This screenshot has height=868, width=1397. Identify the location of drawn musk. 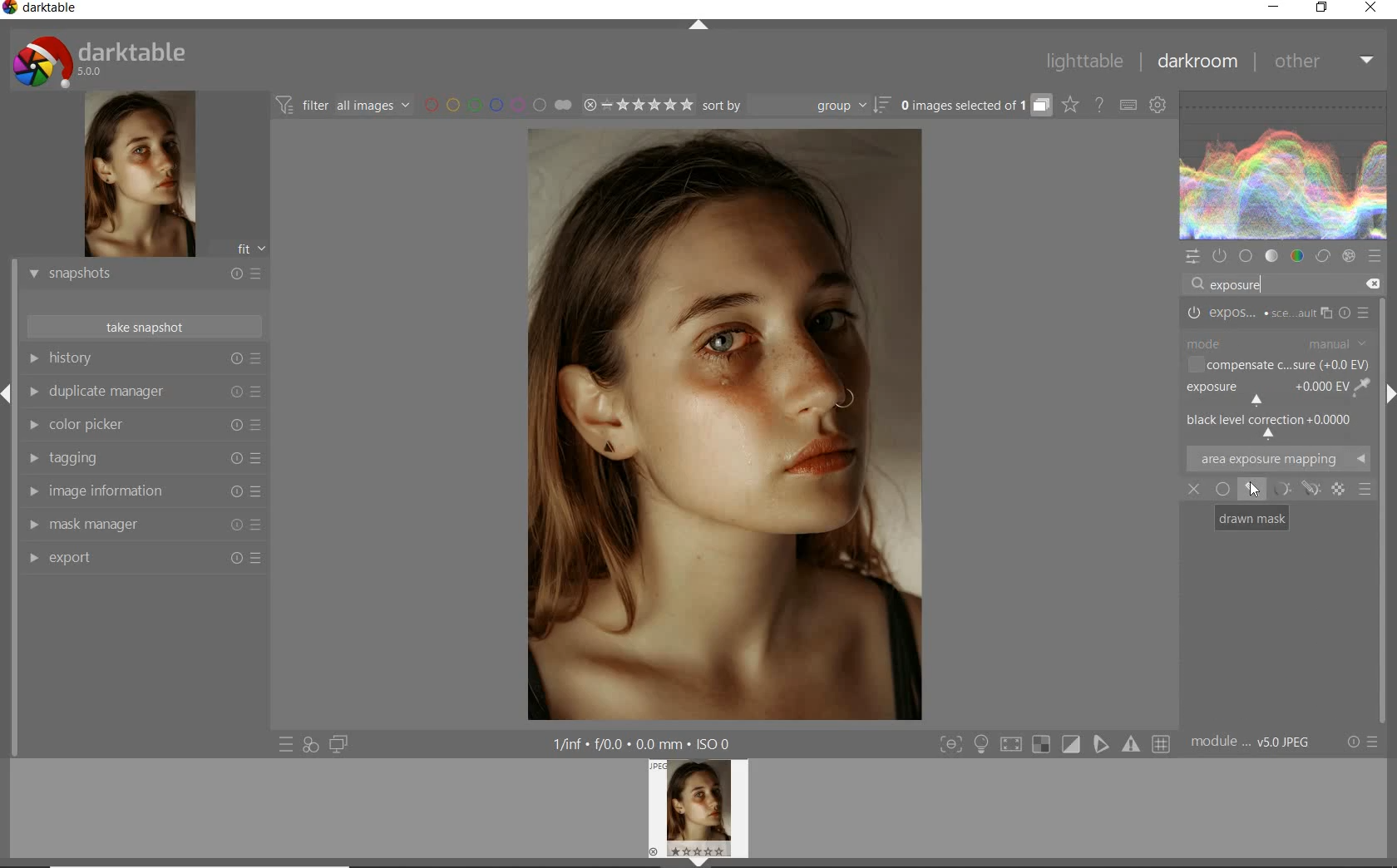
(1253, 487).